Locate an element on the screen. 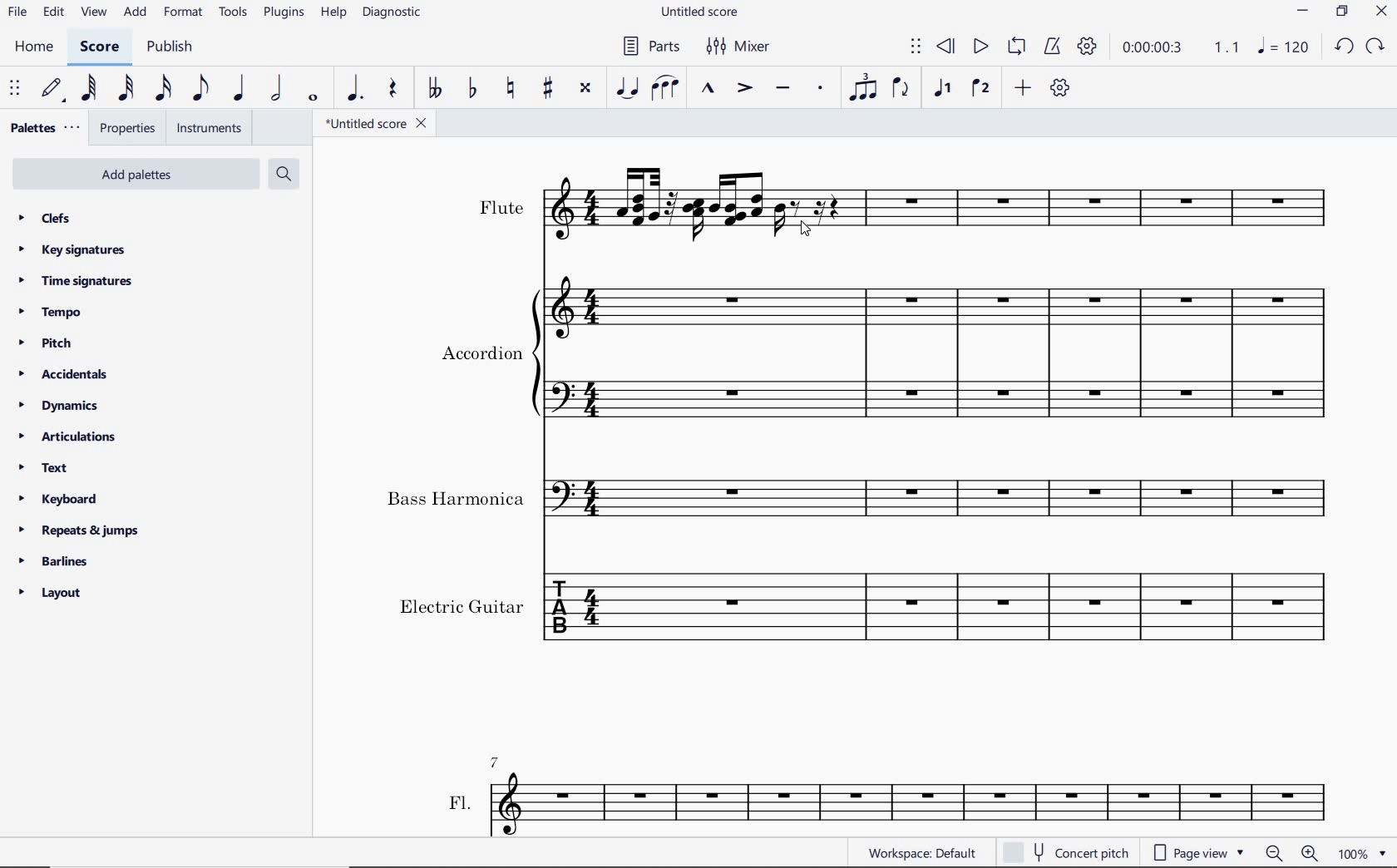 The width and height of the screenshot is (1397, 868). key signatures is located at coordinates (72, 251).